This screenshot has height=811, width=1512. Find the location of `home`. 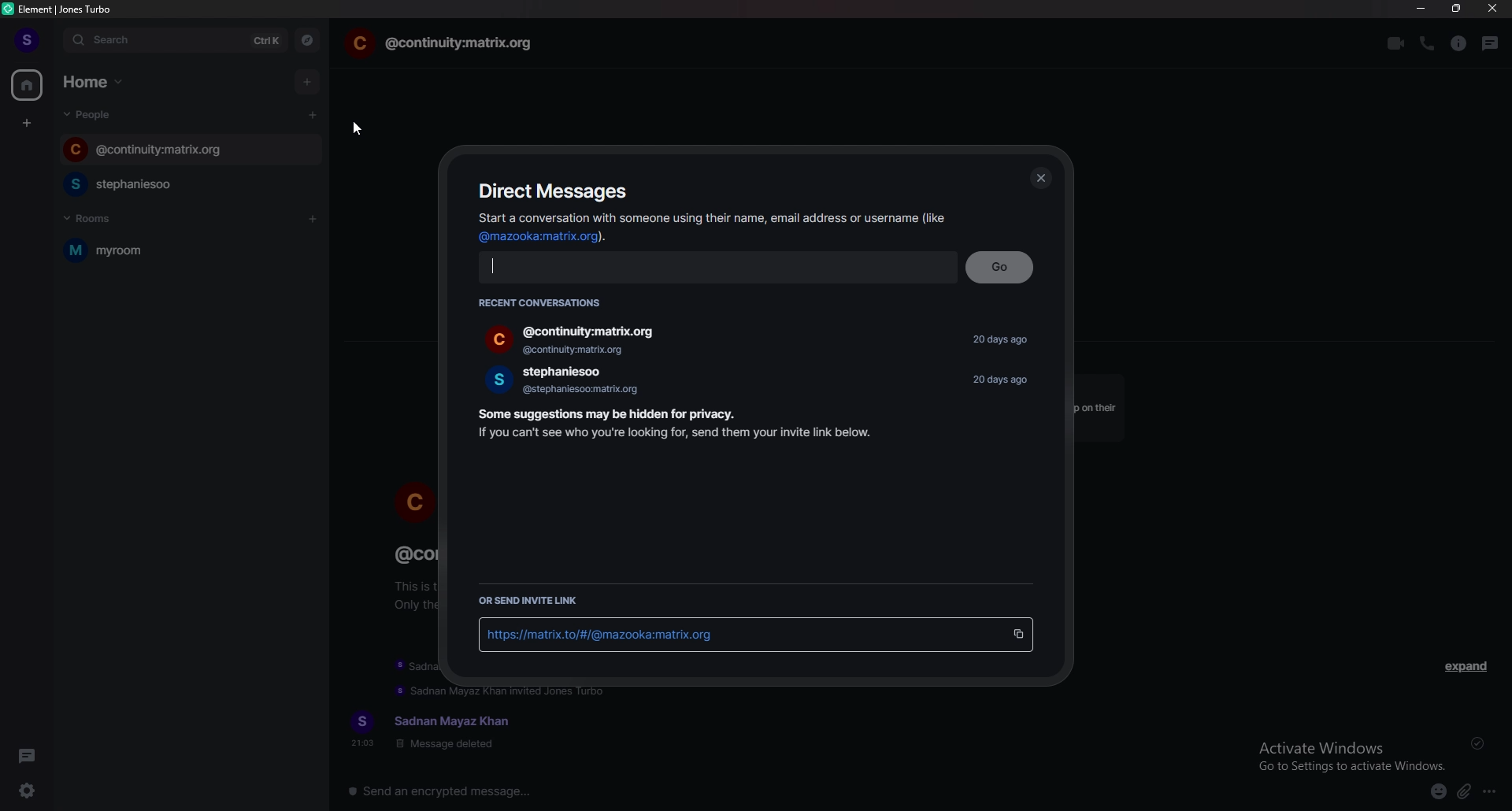

home is located at coordinates (97, 81).